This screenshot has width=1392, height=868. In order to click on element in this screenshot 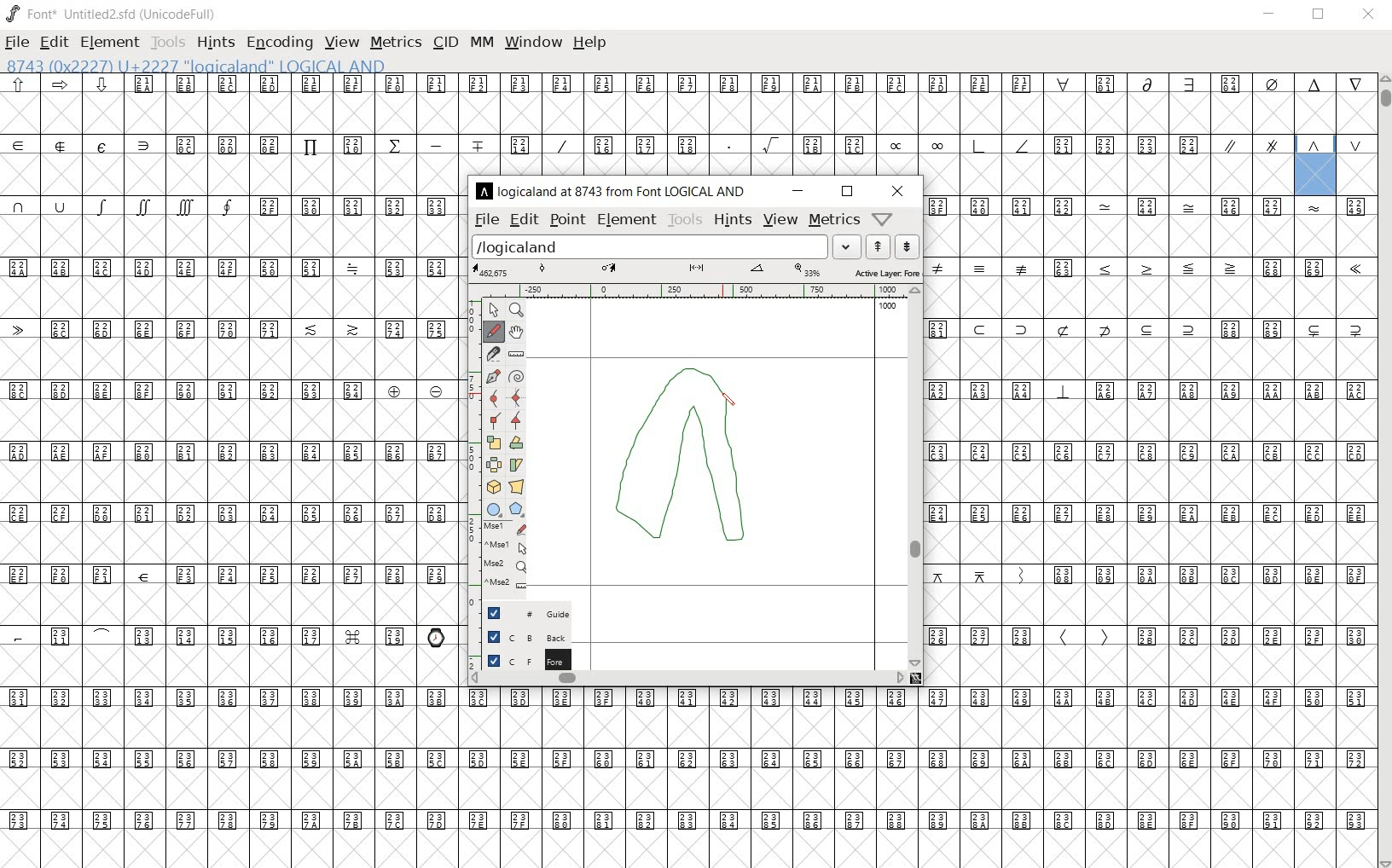, I will do `click(627, 219)`.